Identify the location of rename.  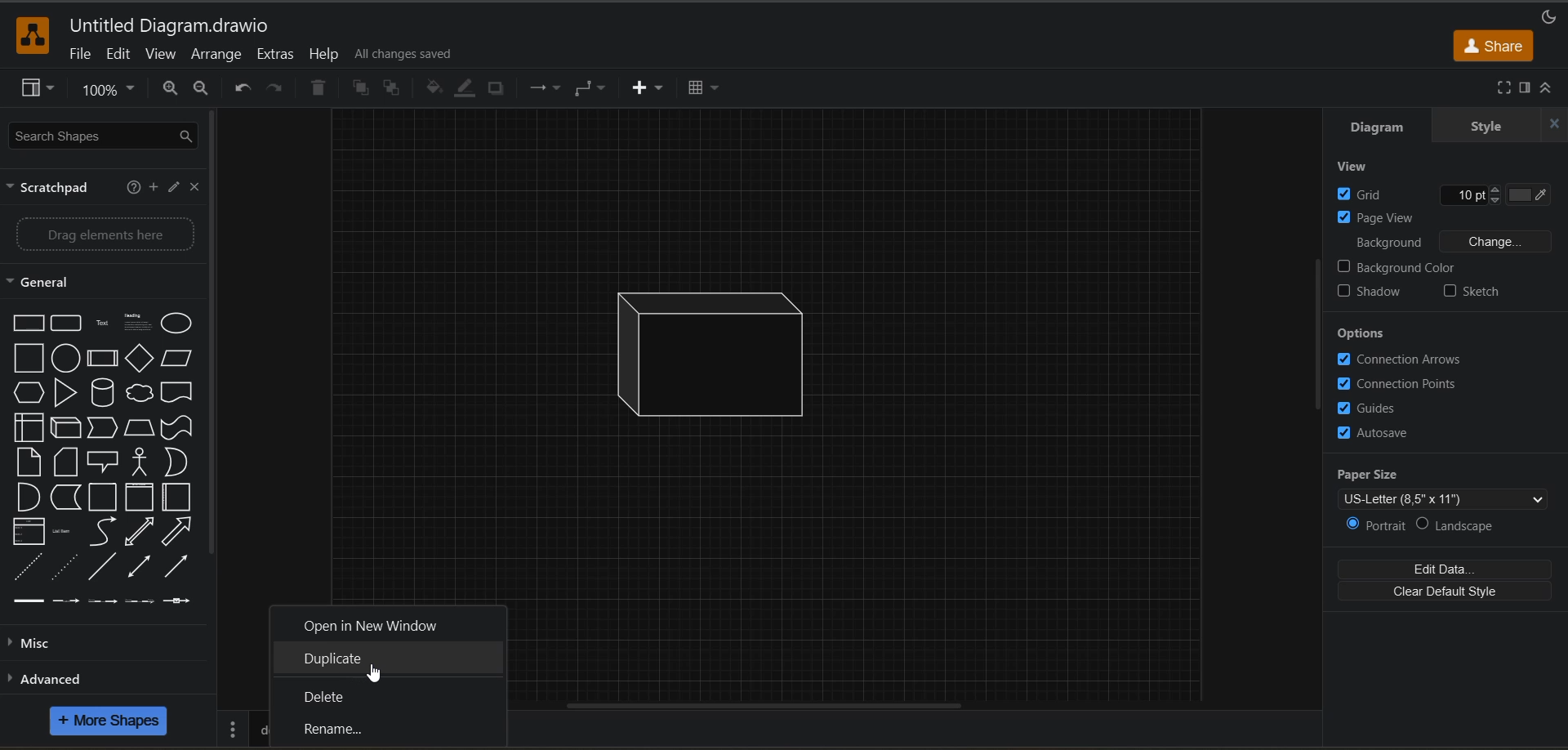
(368, 729).